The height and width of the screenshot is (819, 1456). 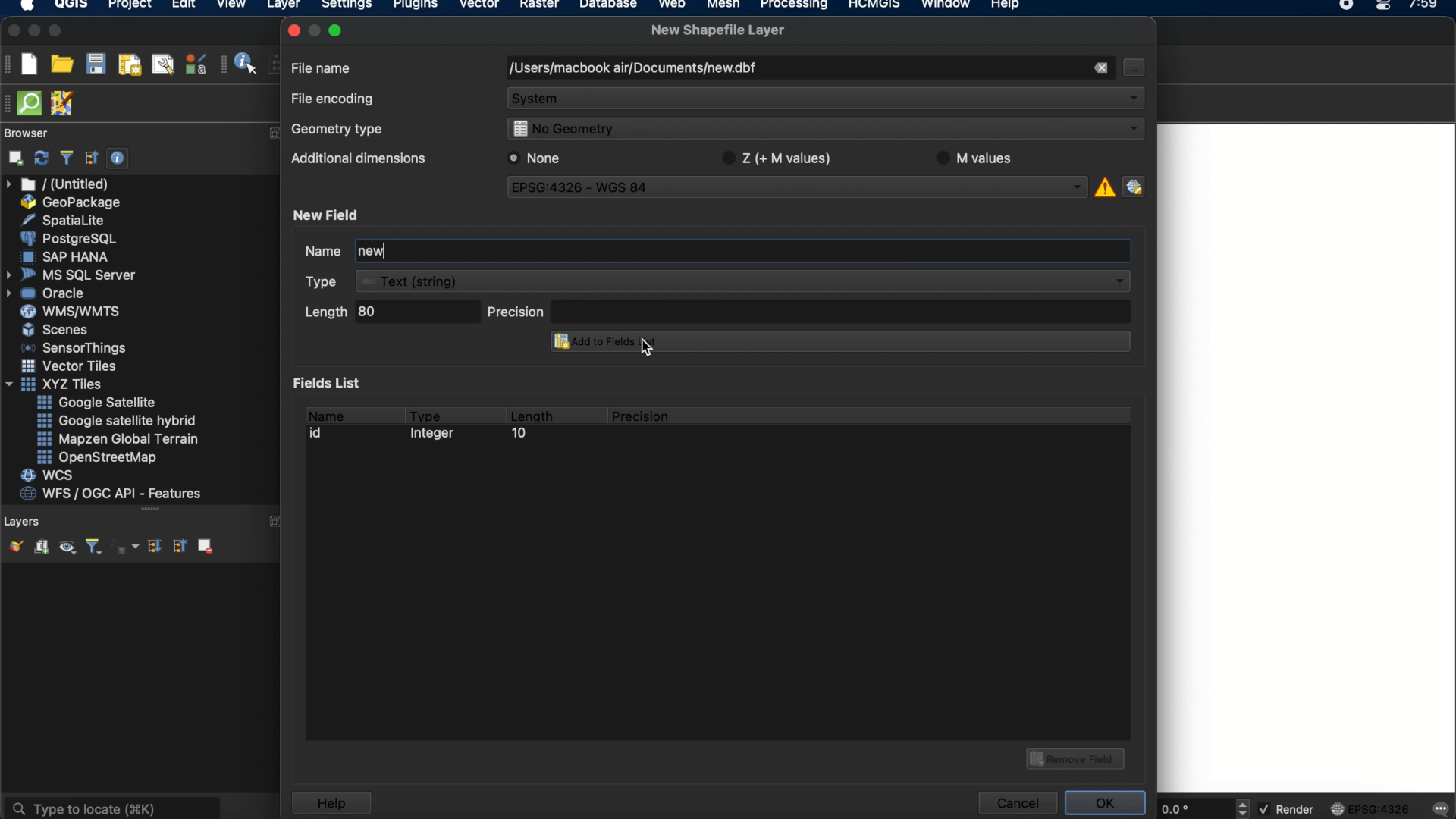 I want to click on Name, so click(x=308, y=253).